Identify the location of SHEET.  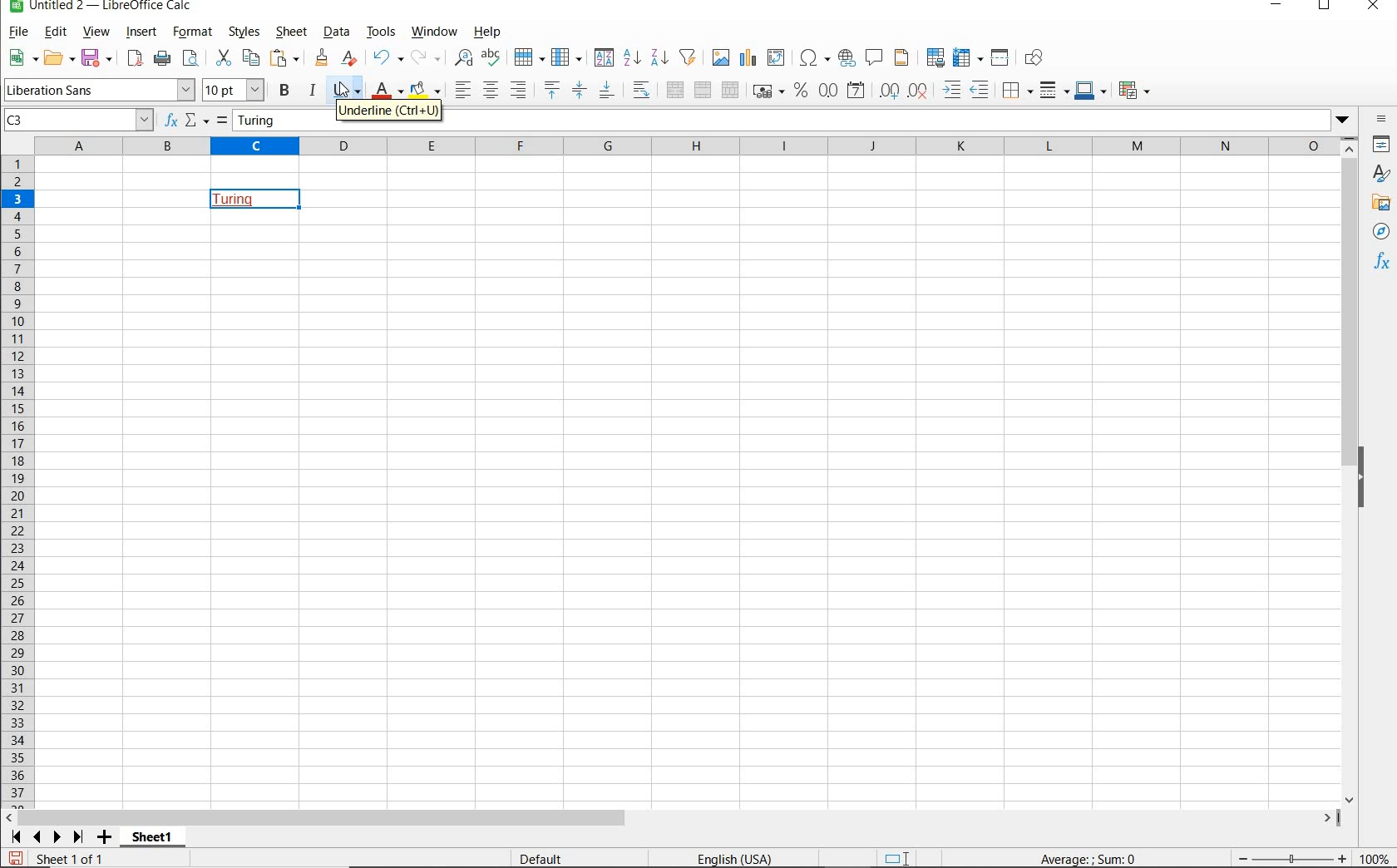
(293, 33).